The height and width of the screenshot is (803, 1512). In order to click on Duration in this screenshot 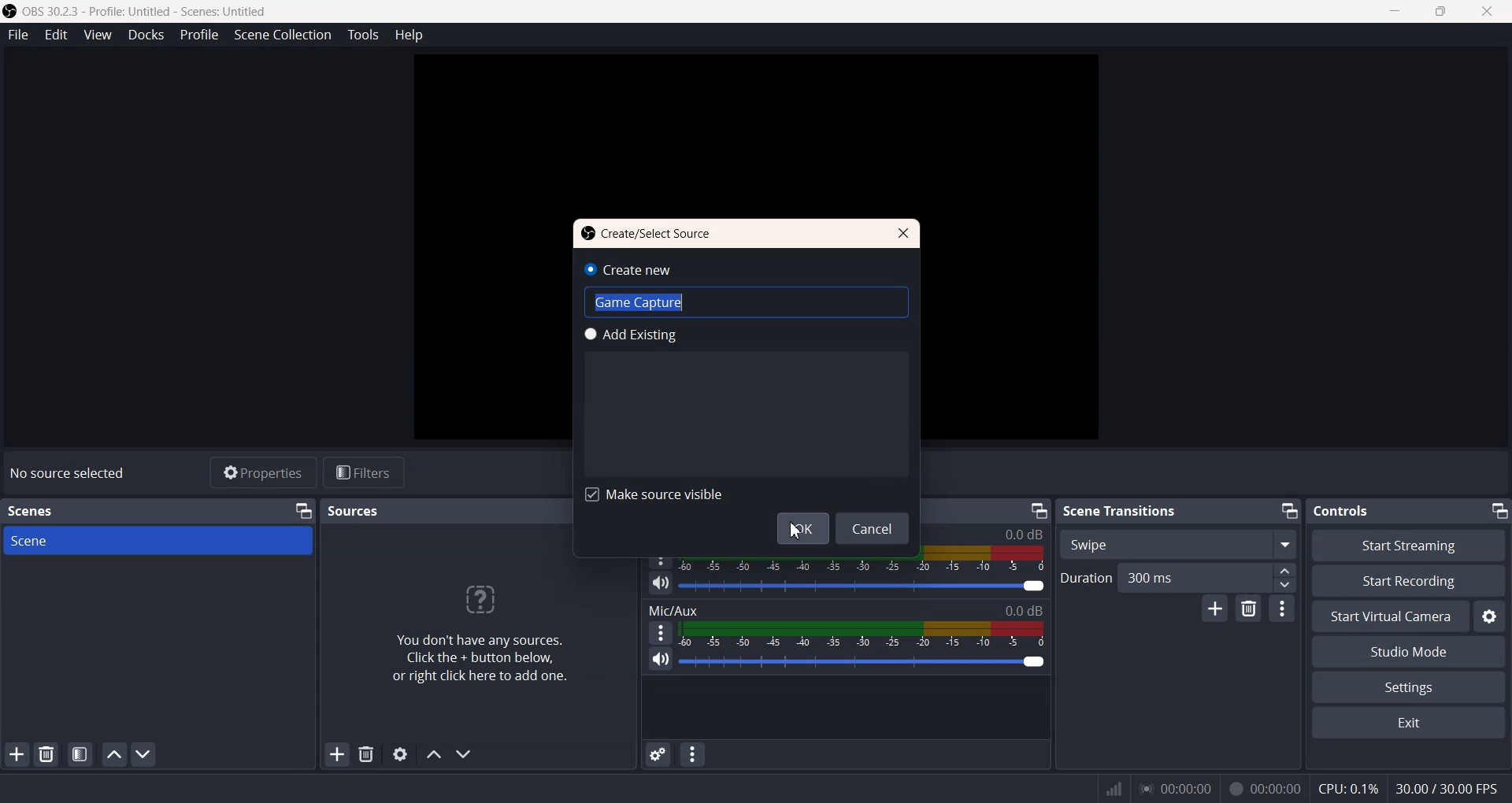, I will do `click(1178, 578)`.